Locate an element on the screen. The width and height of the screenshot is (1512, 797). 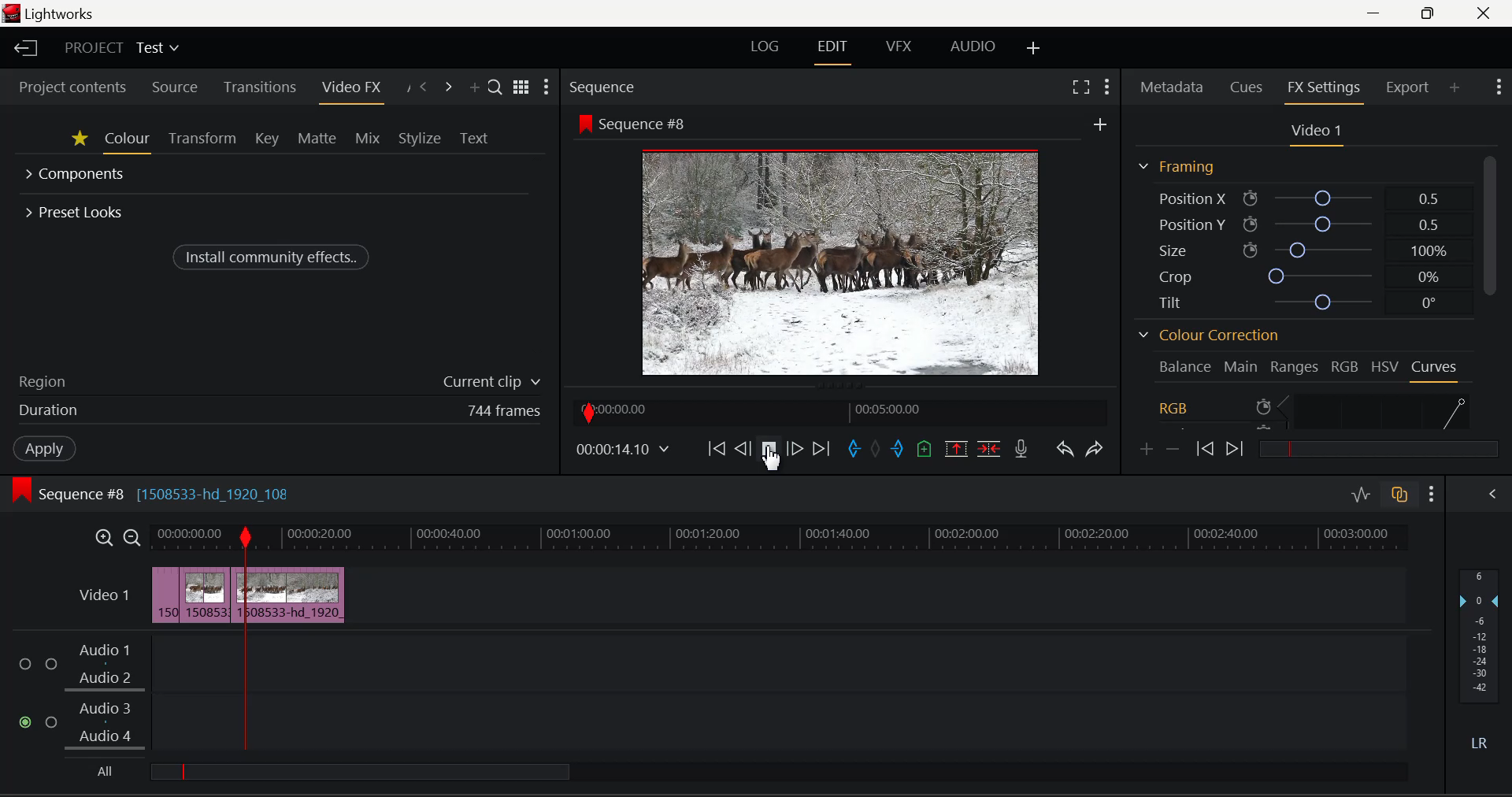
Scroll Bar is located at coordinates (1494, 294).